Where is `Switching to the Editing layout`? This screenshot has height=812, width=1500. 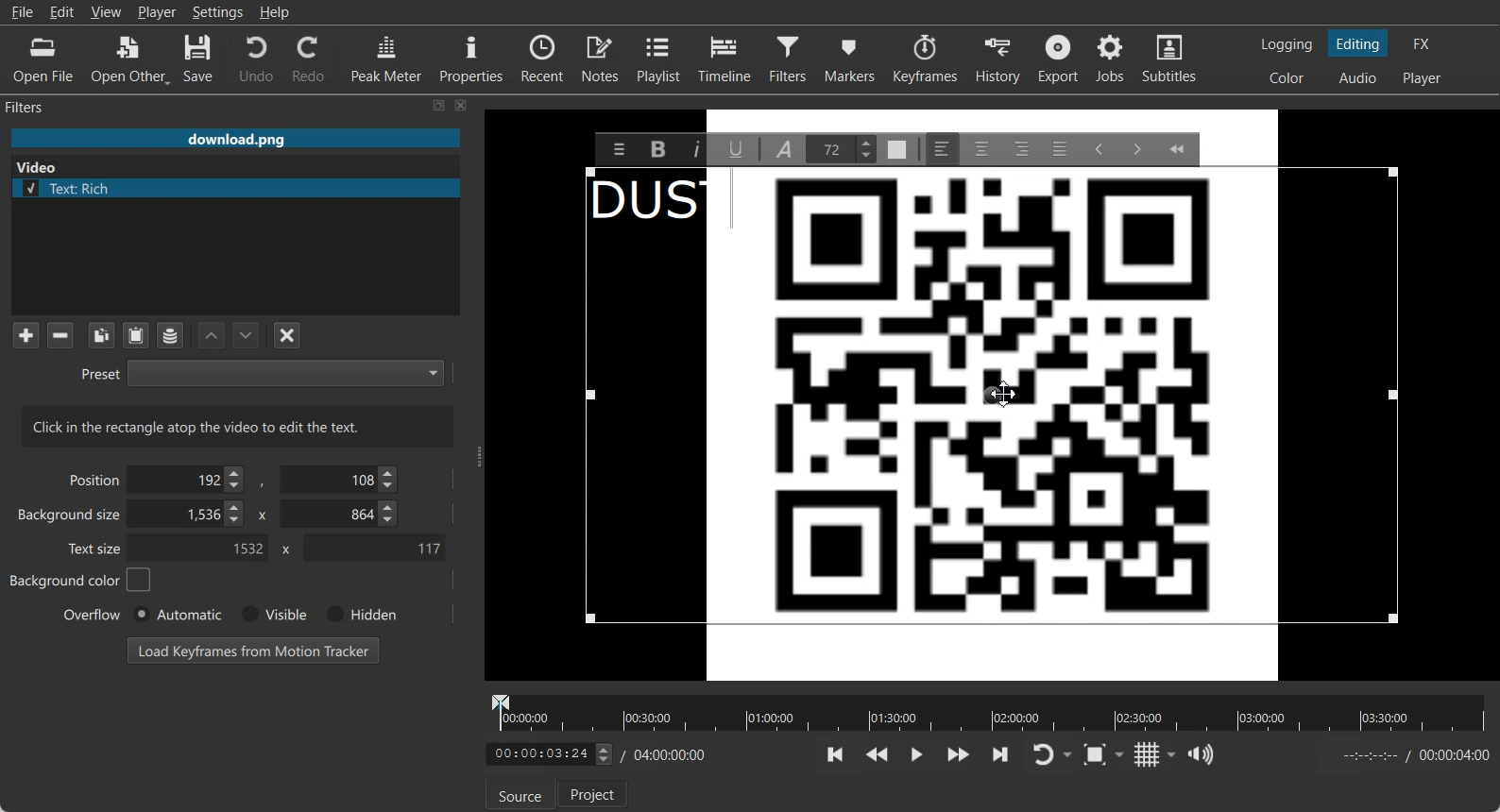
Switching to the Editing layout is located at coordinates (1358, 44).